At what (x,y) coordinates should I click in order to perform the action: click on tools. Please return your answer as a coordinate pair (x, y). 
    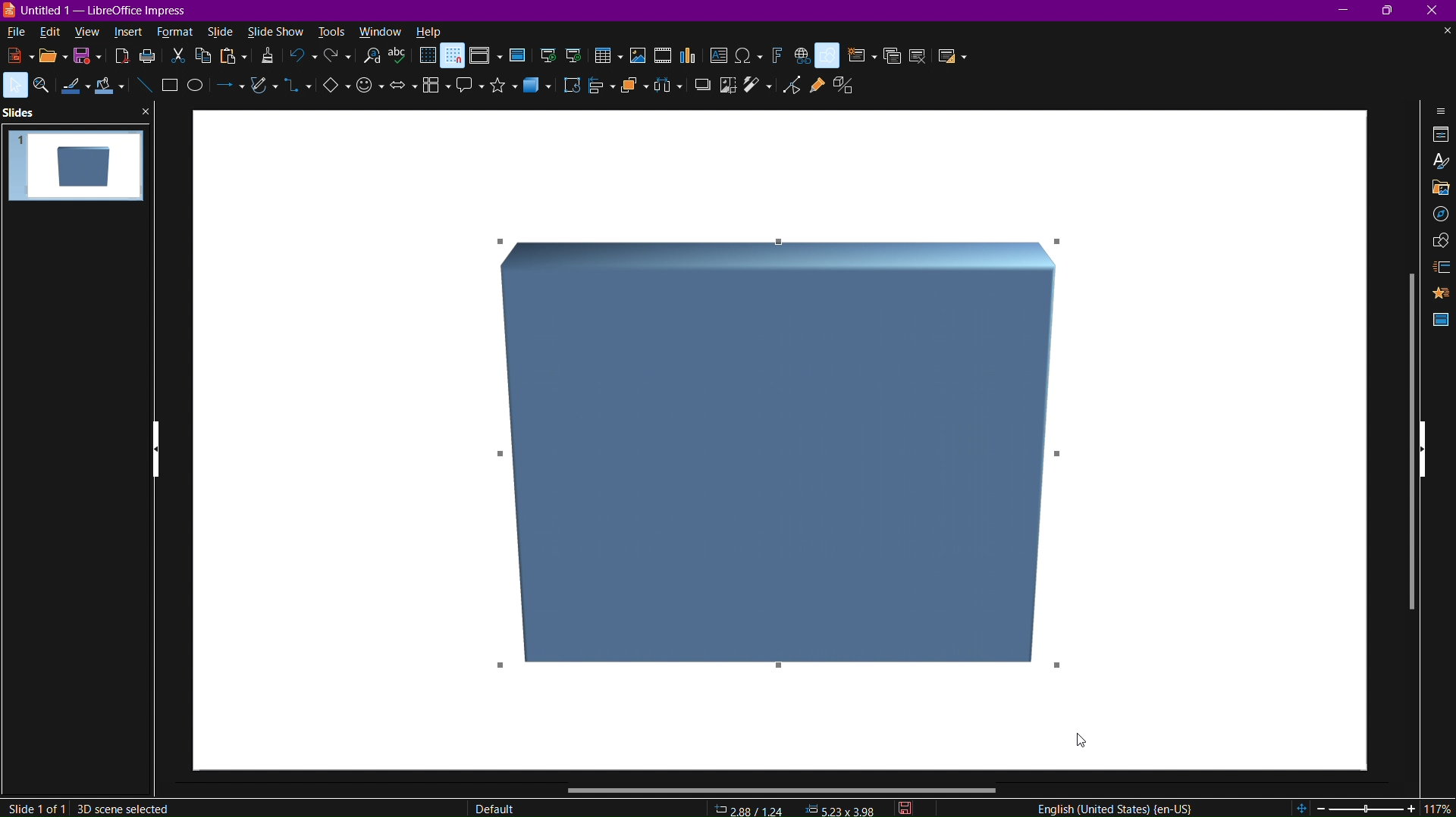
    Looking at the image, I should click on (329, 31).